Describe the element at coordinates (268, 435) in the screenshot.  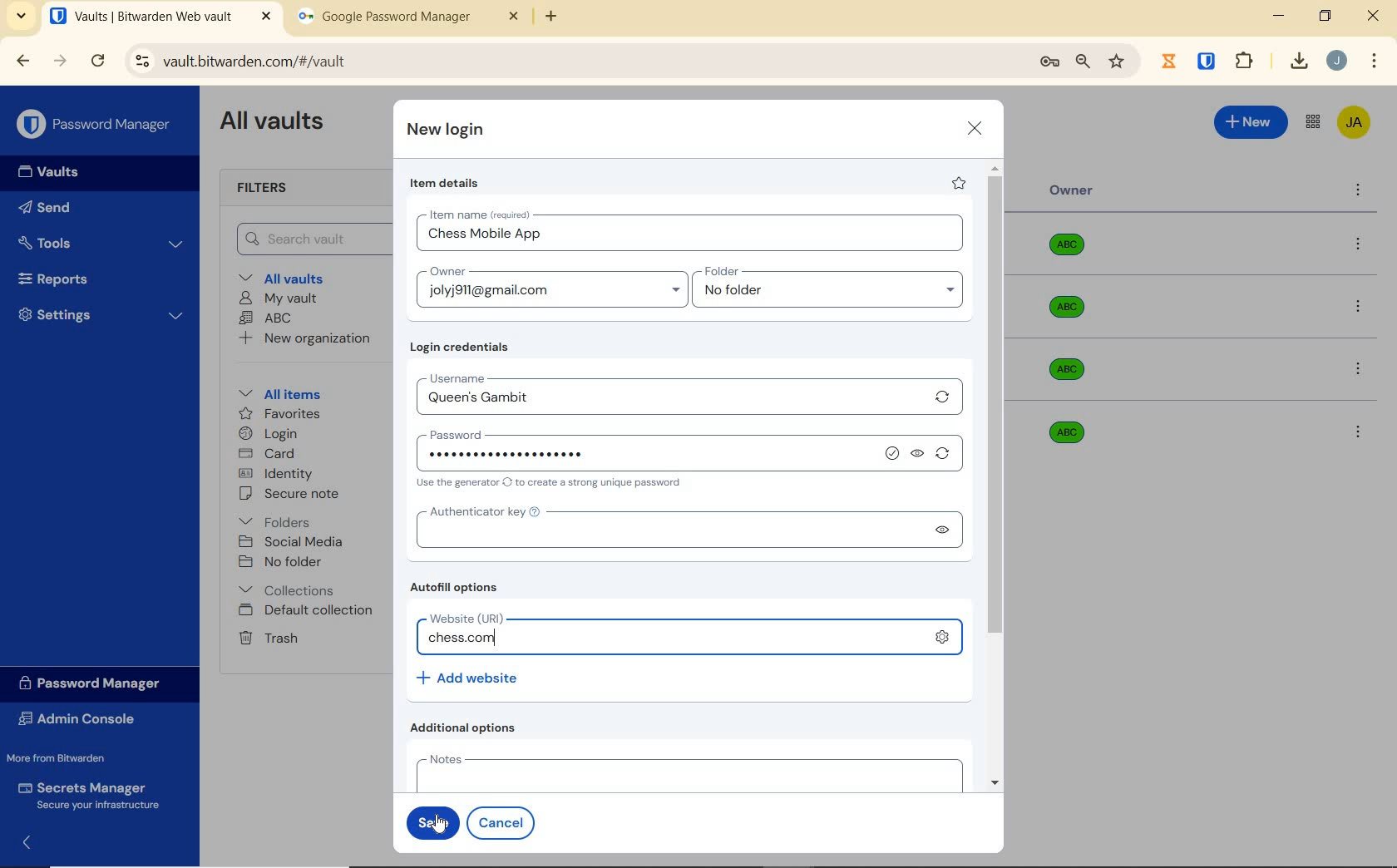
I see `login` at that location.